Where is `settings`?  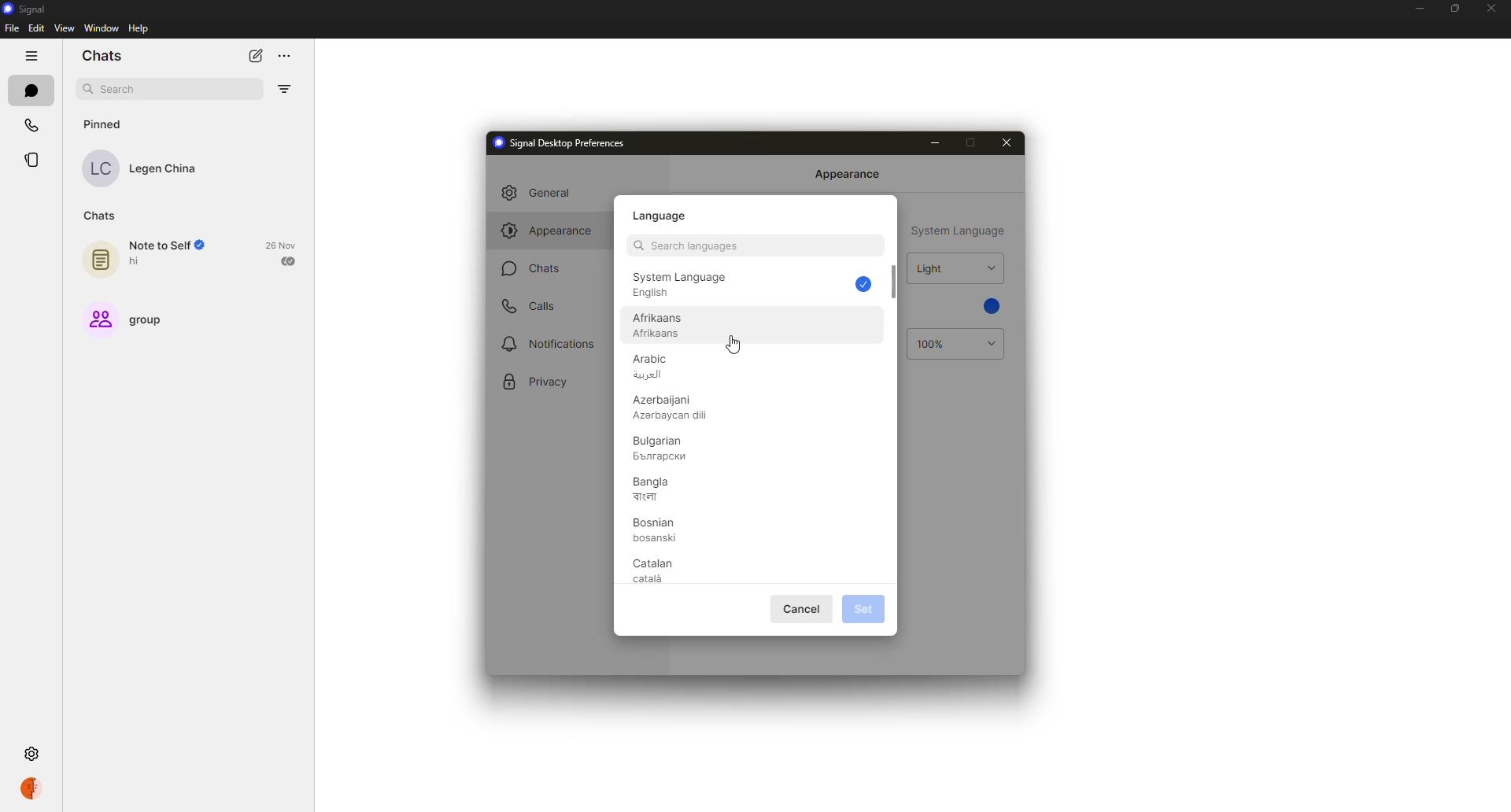 settings is located at coordinates (34, 754).